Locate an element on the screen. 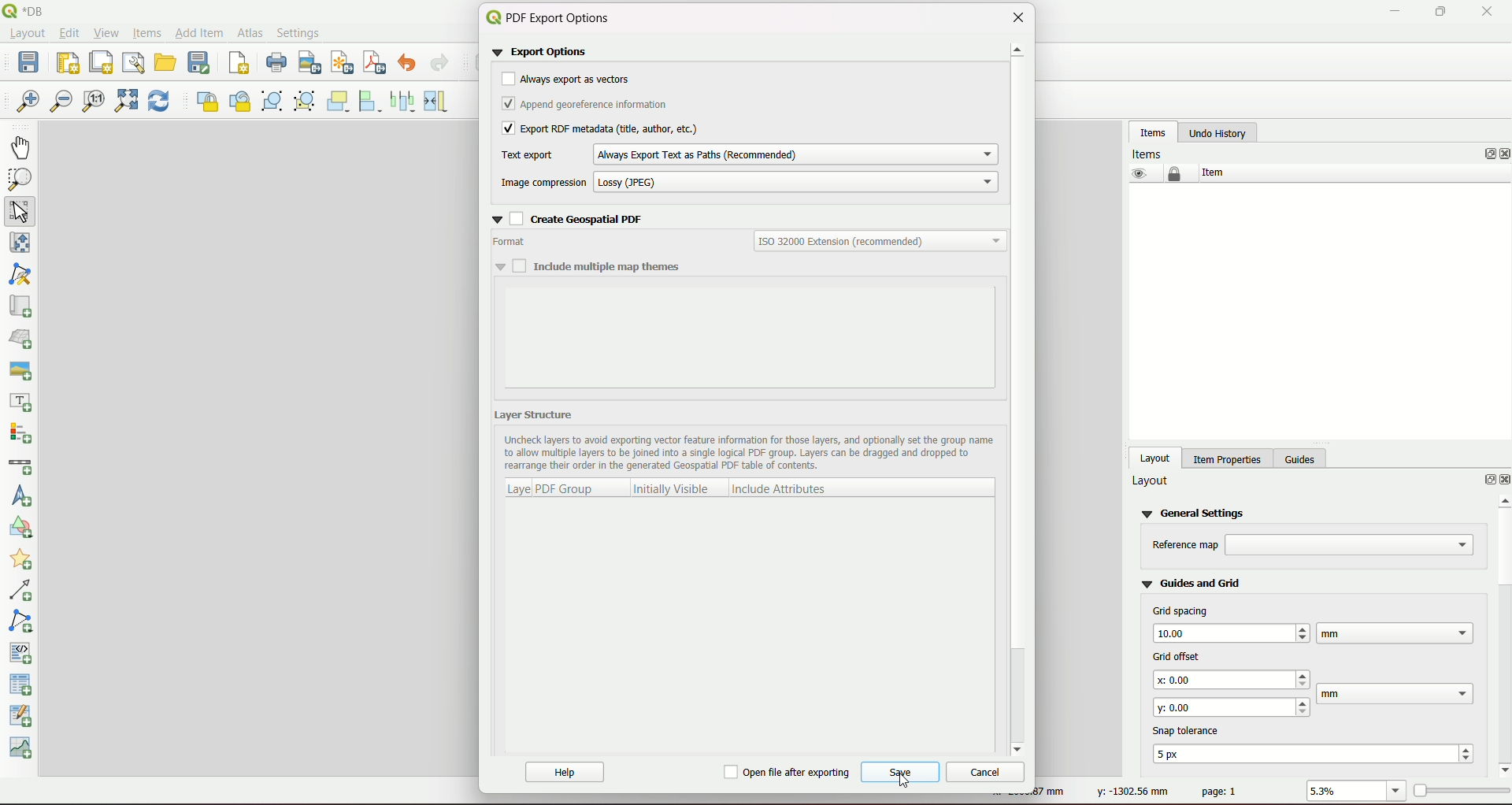  text is located at coordinates (1150, 153).